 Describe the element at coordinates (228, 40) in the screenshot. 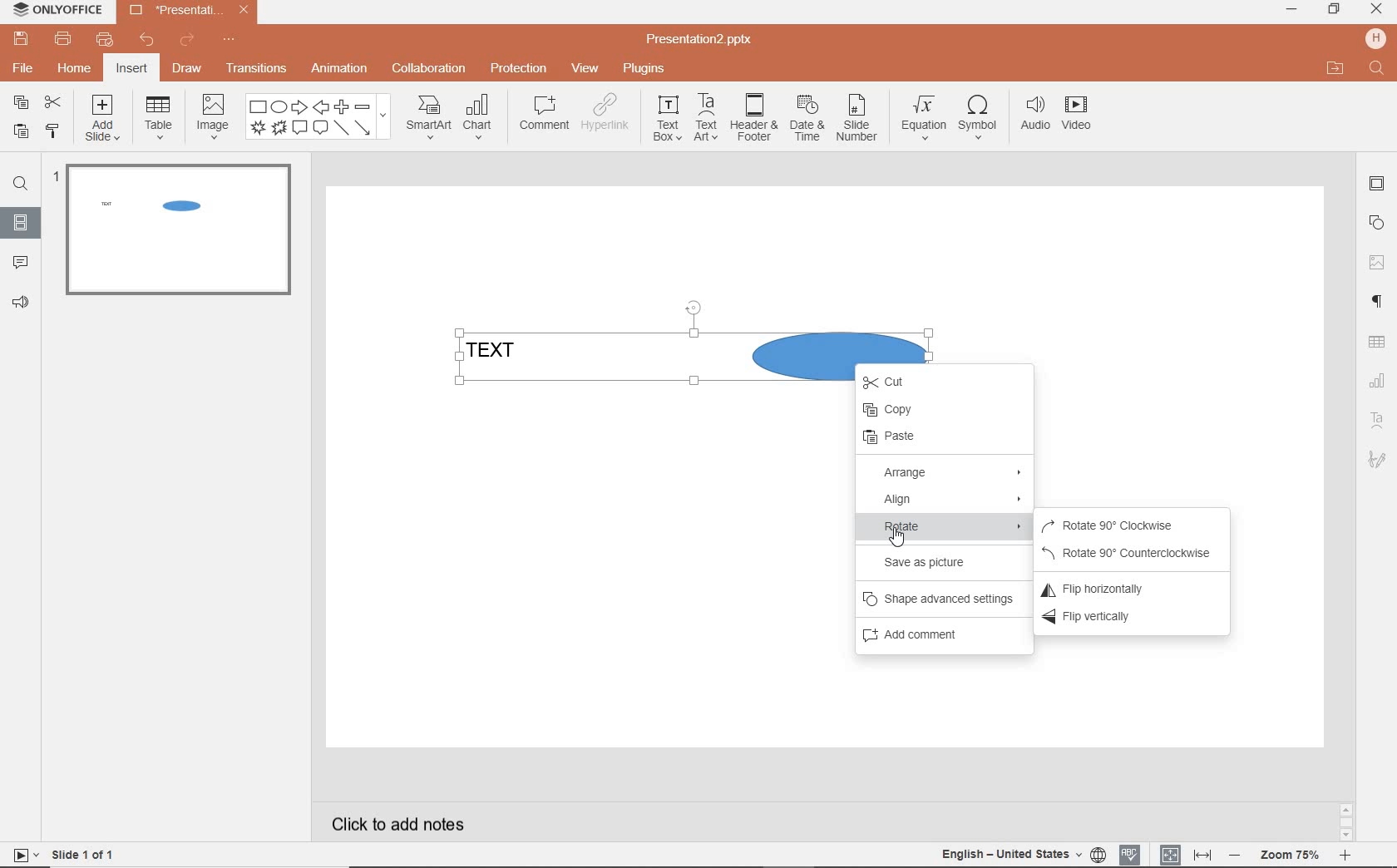

I see `customize quick access toolbar` at that location.